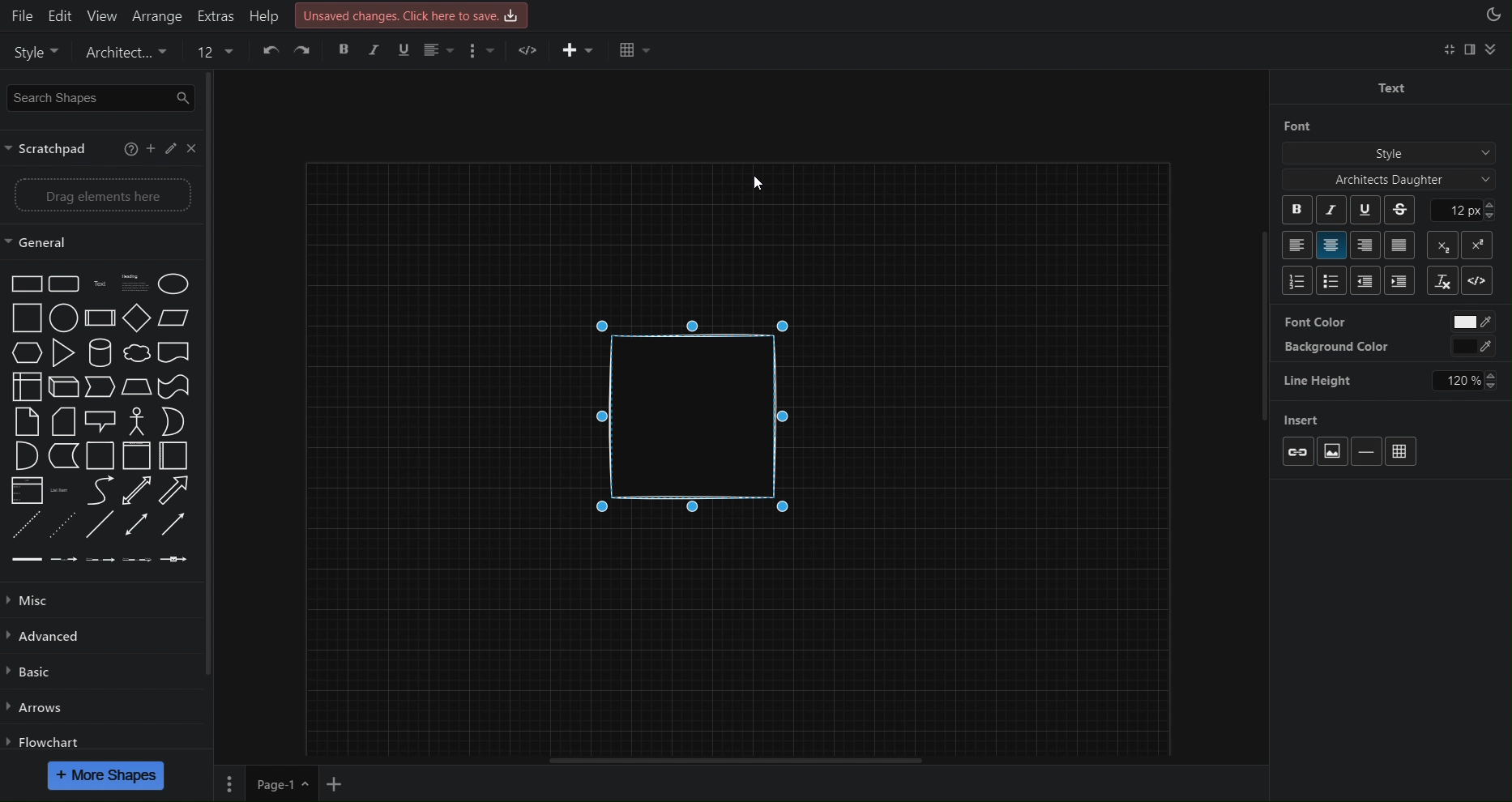  I want to click on White color, so click(1471, 322).